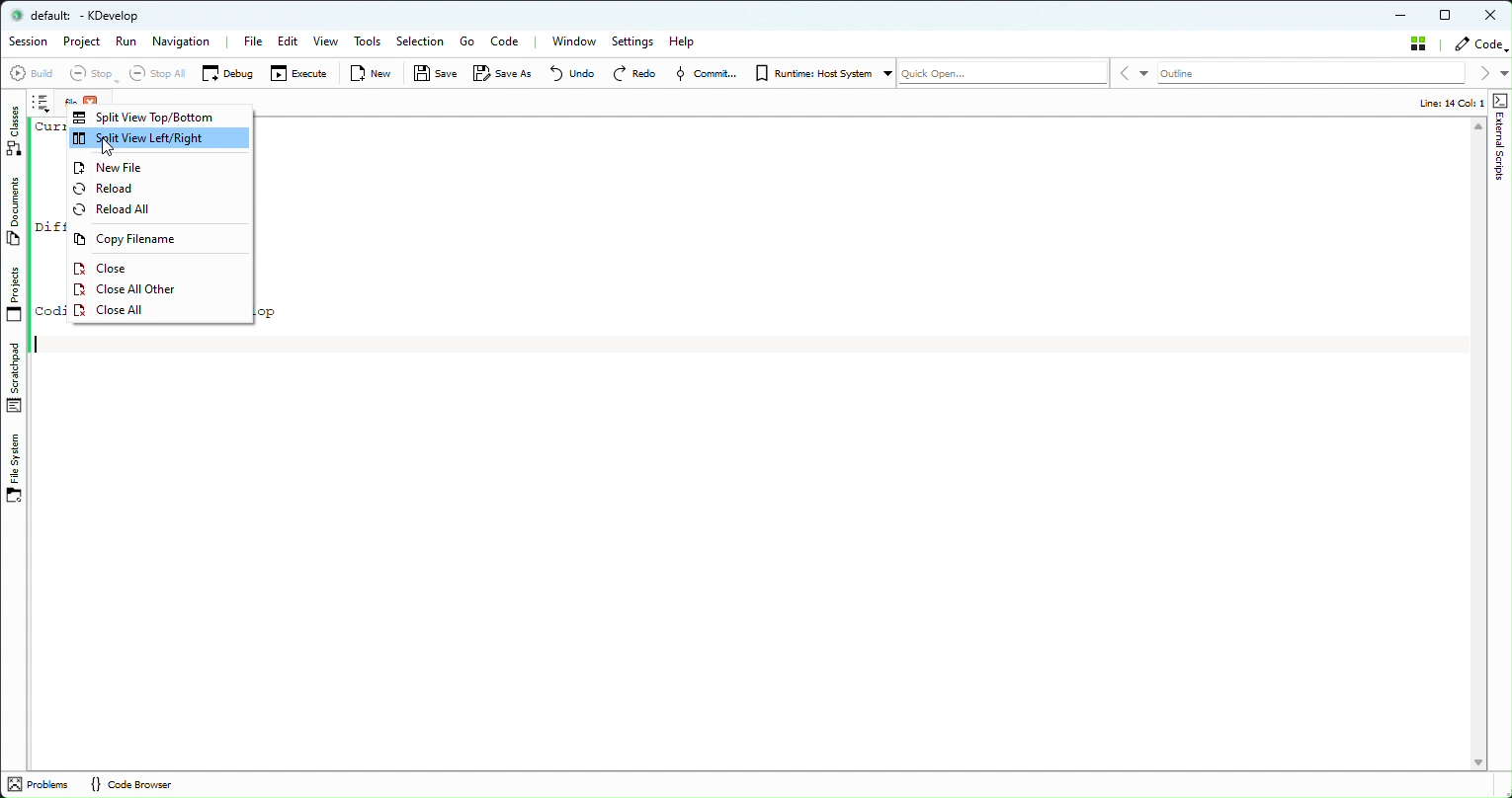 This screenshot has width=1512, height=798. What do you see at coordinates (1501, 138) in the screenshot?
I see `Shape` at bounding box center [1501, 138].